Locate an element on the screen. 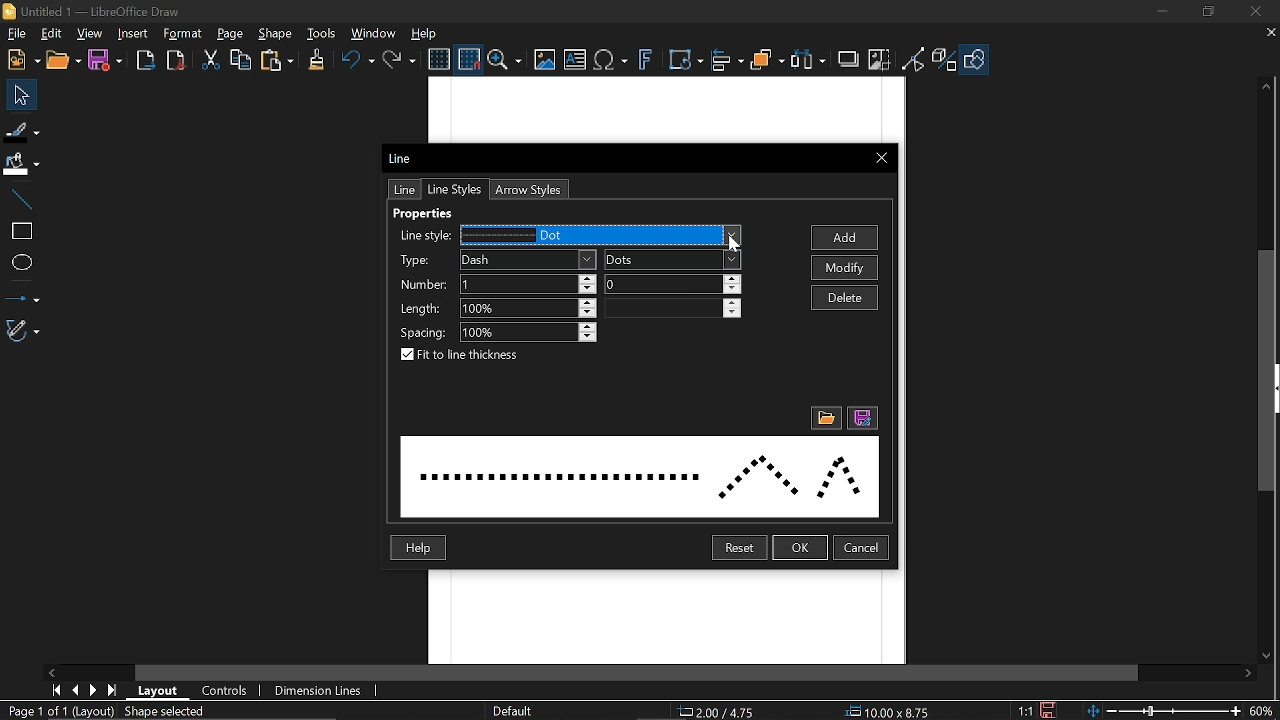  Curves and polygons is located at coordinates (23, 331).